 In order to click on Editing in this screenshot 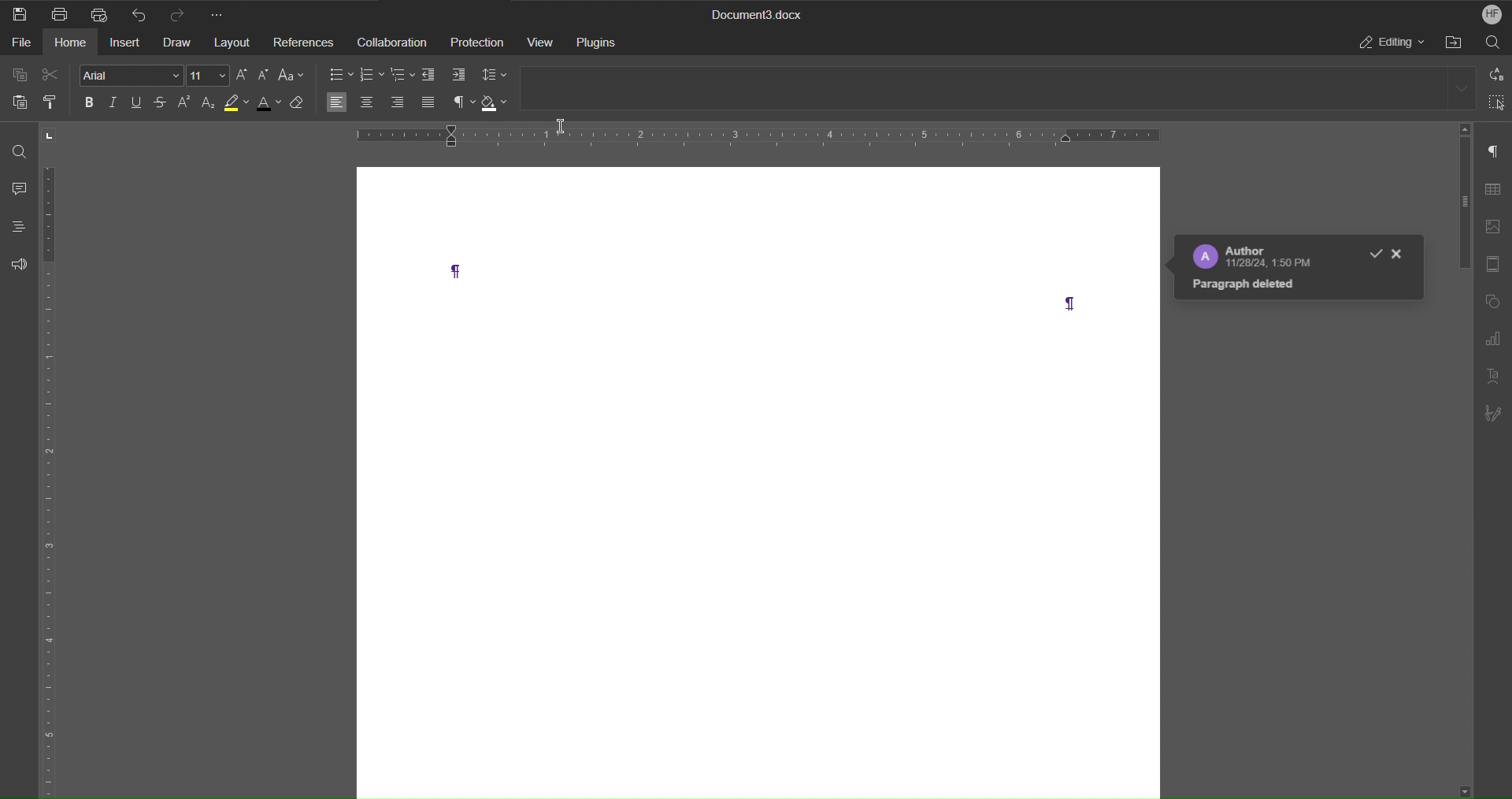, I will do `click(1390, 43)`.